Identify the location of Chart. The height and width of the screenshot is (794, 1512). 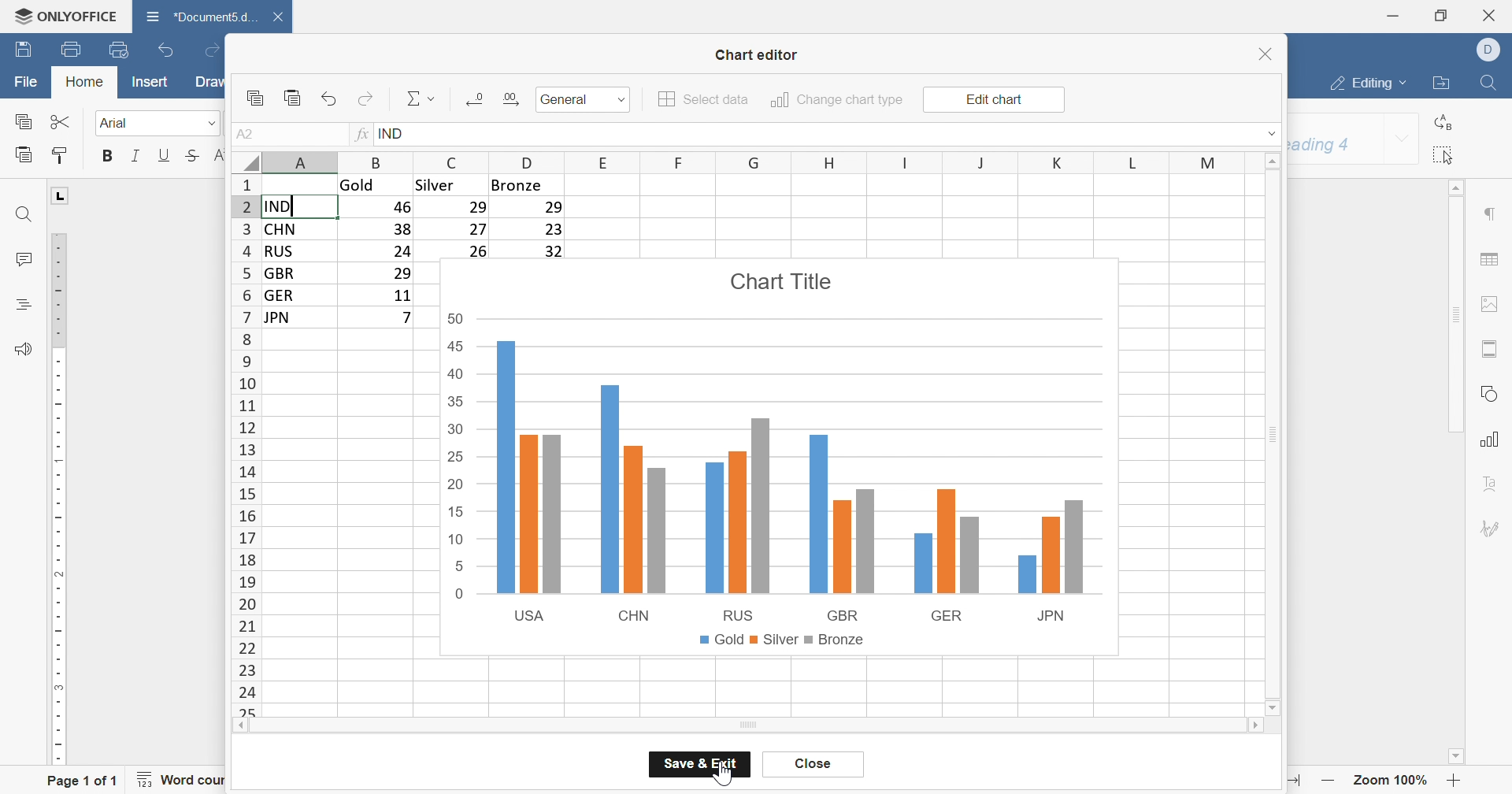
(782, 460).